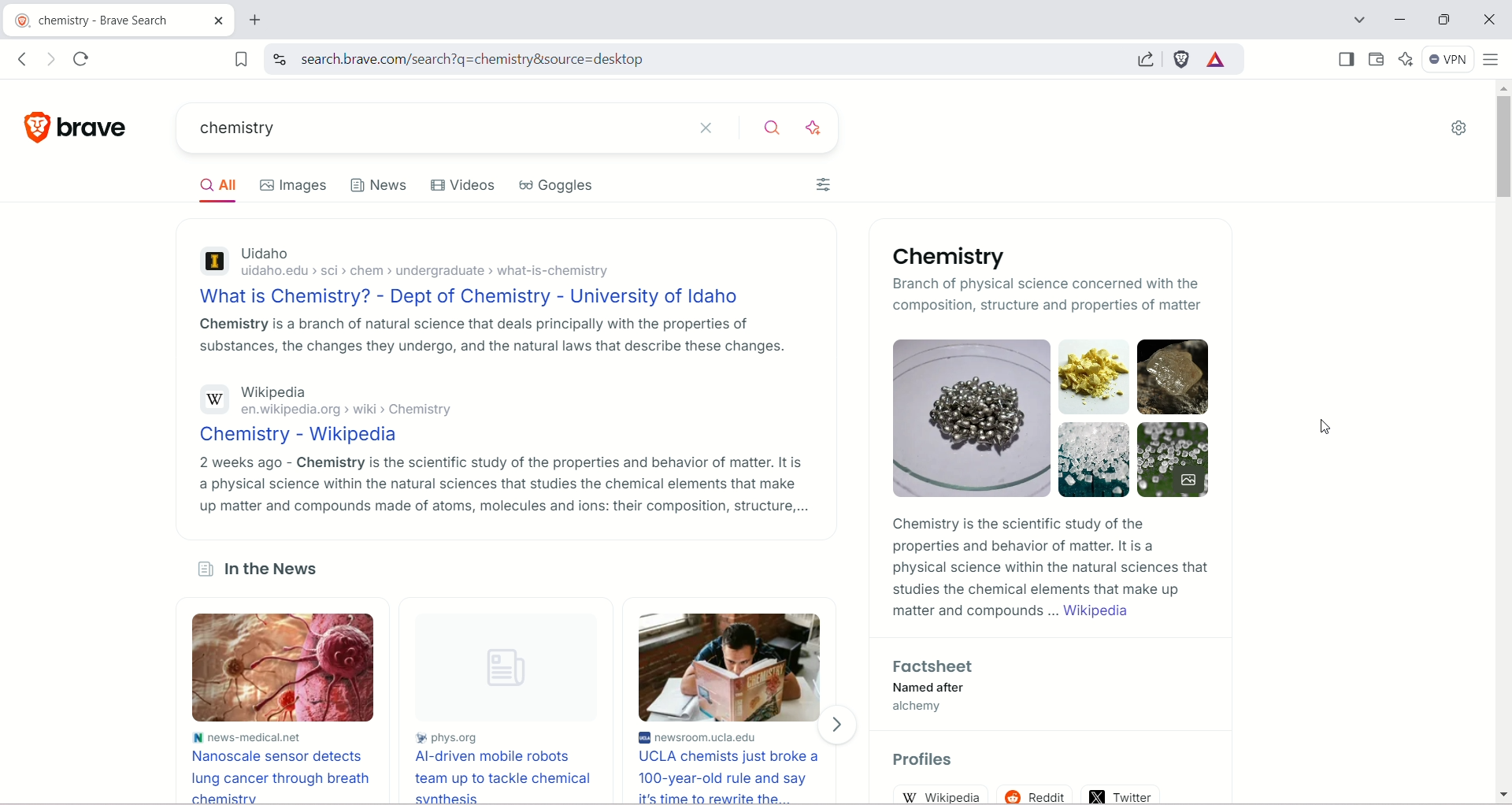 The height and width of the screenshot is (805, 1512). I want to click on What is Chemistry? - Dept of Chemistry - University of Idaho, so click(480, 294).